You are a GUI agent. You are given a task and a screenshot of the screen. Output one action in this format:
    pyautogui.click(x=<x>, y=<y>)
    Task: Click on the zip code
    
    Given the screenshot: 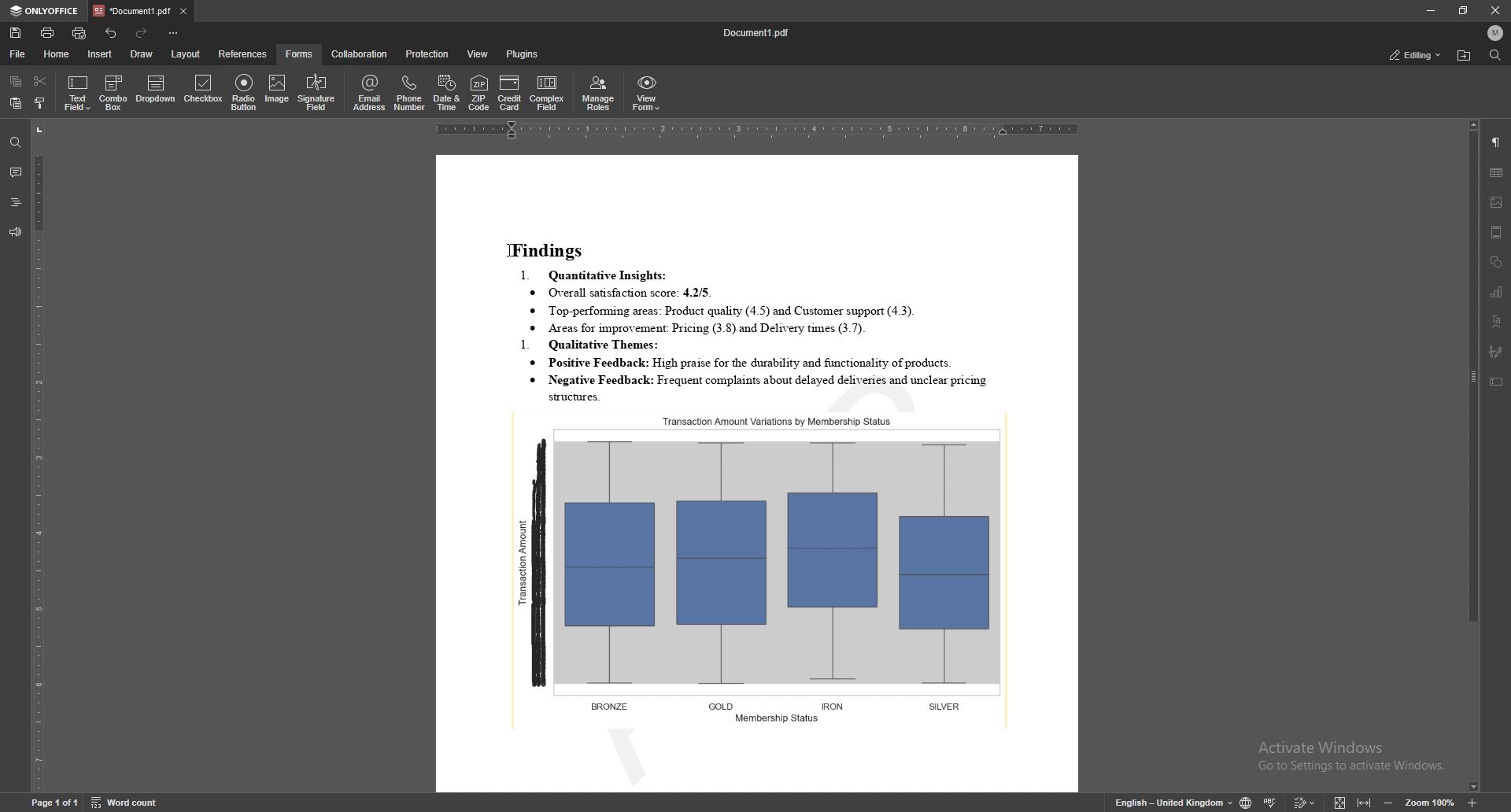 What is the action you would take?
    pyautogui.click(x=479, y=94)
    